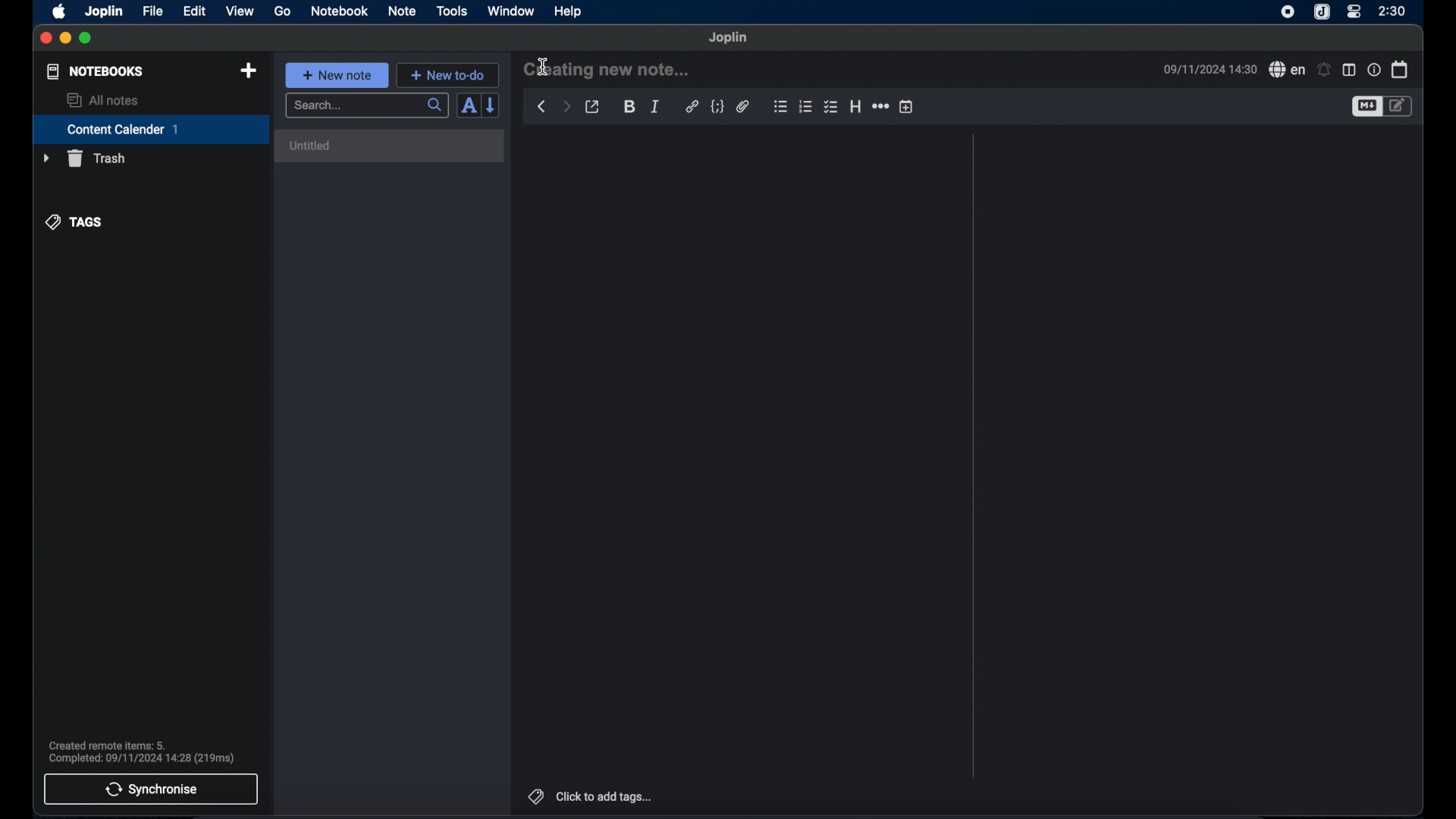  Describe the element at coordinates (544, 67) in the screenshot. I see `I beam cursor` at that location.